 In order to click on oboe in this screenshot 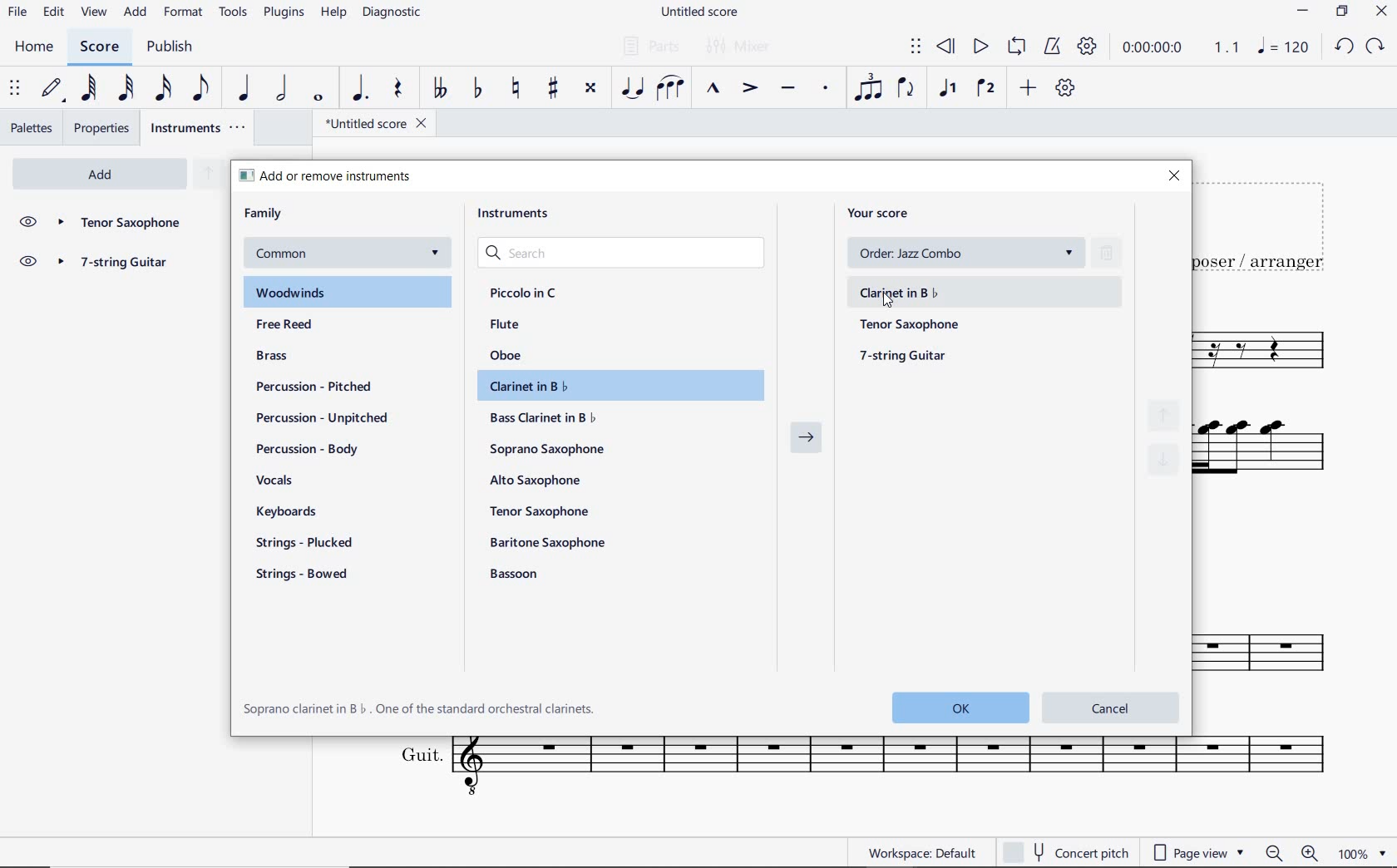, I will do `click(509, 355)`.